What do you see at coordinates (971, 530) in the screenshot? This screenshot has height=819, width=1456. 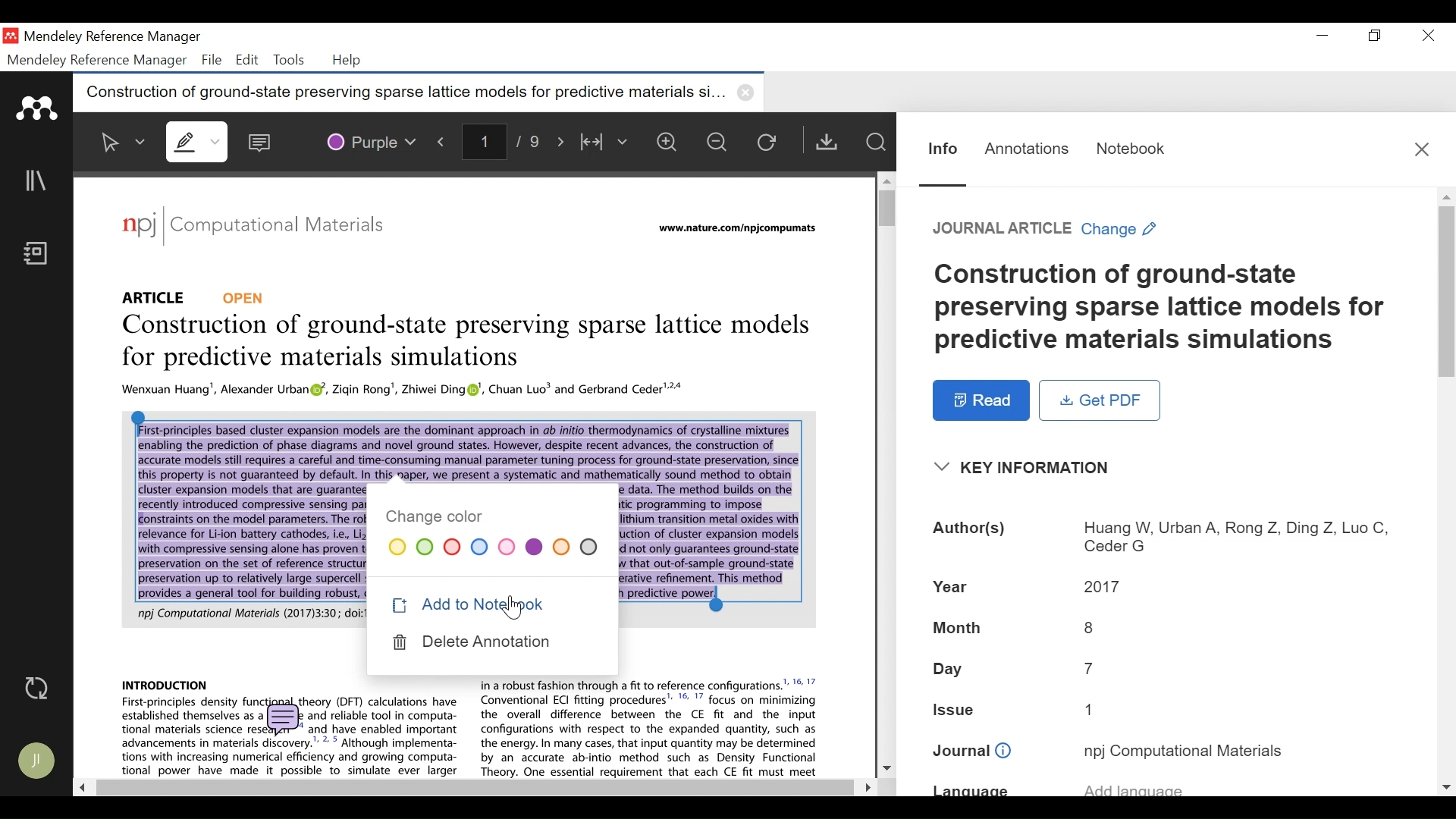 I see `Authors` at bounding box center [971, 530].